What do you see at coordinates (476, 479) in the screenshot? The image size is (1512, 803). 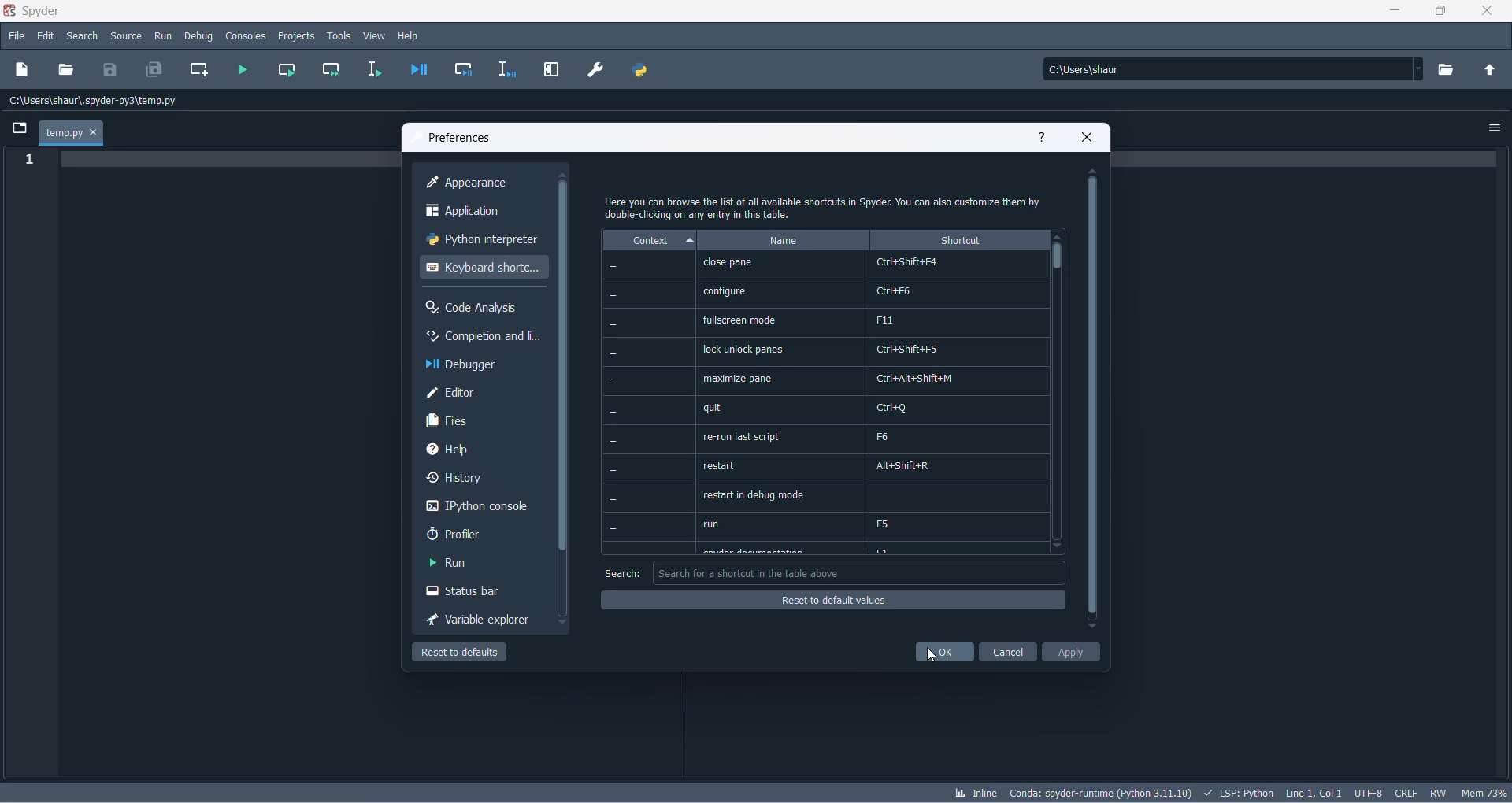 I see `history` at bounding box center [476, 479].